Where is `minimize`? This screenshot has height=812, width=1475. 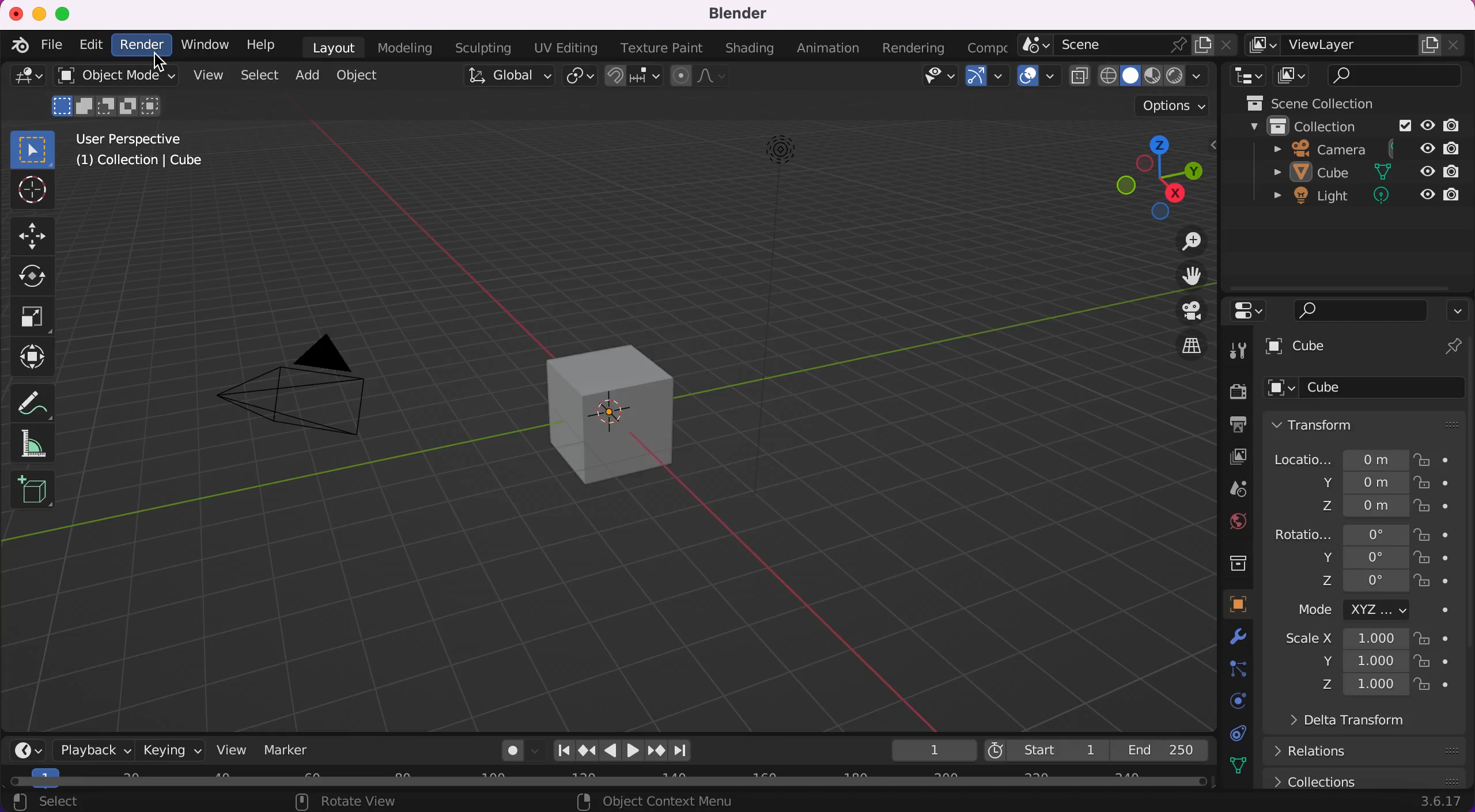
minimize is located at coordinates (40, 13).